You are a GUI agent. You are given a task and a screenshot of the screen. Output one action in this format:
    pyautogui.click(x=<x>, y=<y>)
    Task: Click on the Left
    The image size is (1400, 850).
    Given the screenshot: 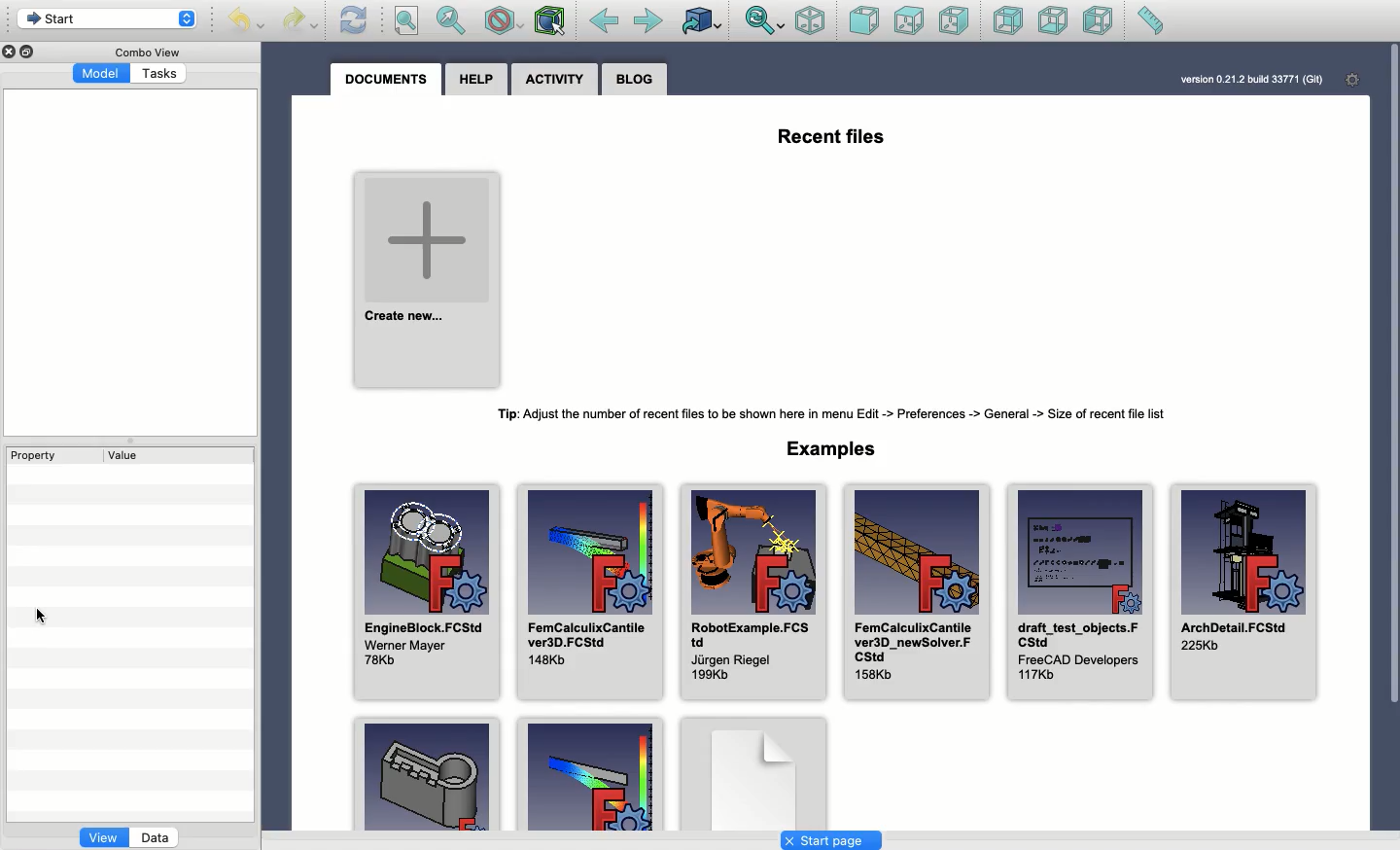 What is the action you would take?
    pyautogui.click(x=1100, y=23)
    